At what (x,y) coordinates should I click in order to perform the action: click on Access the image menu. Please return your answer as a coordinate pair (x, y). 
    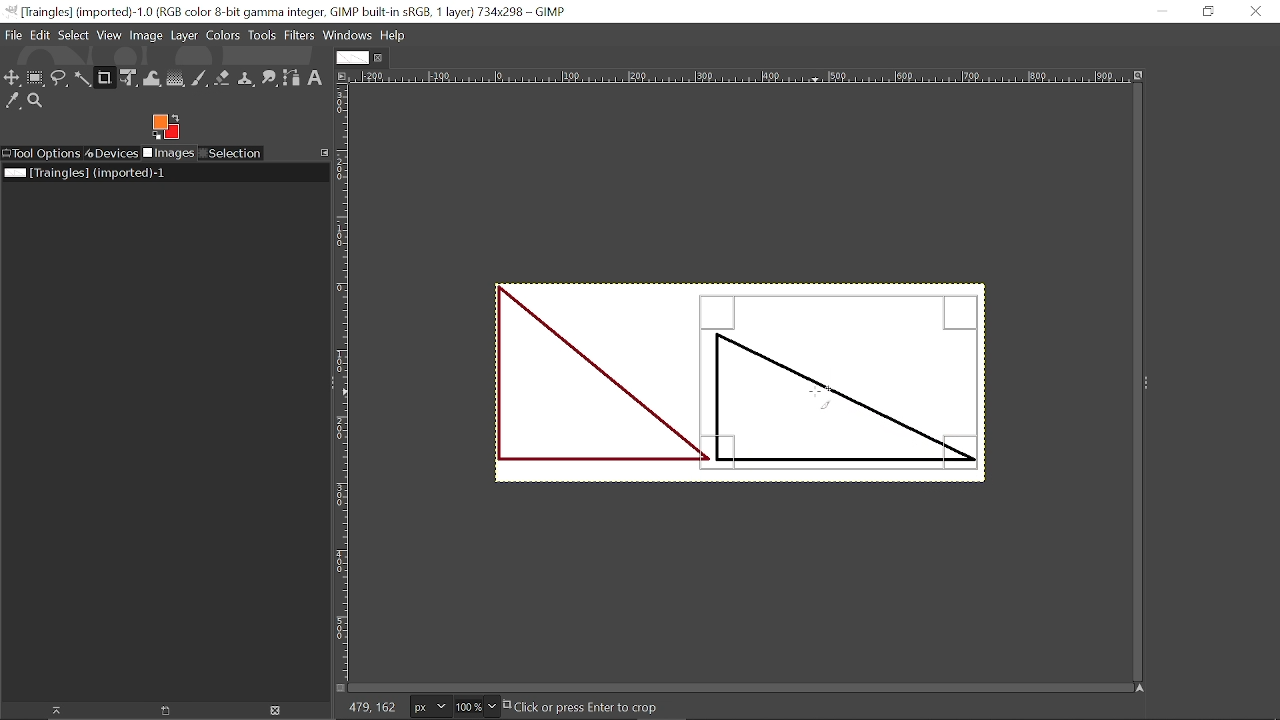
    Looking at the image, I should click on (343, 77).